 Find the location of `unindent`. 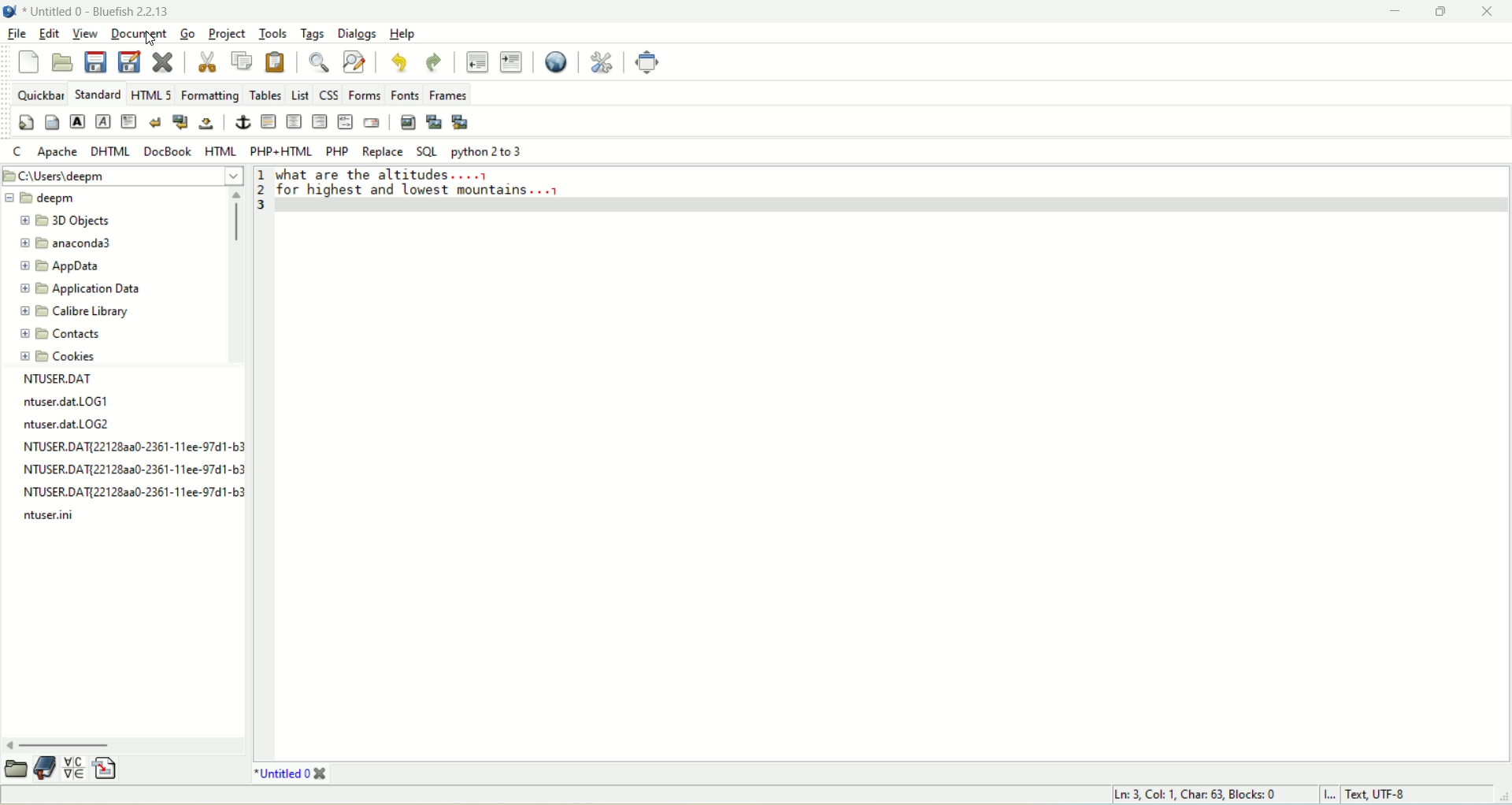

unindent is located at coordinates (476, 61).